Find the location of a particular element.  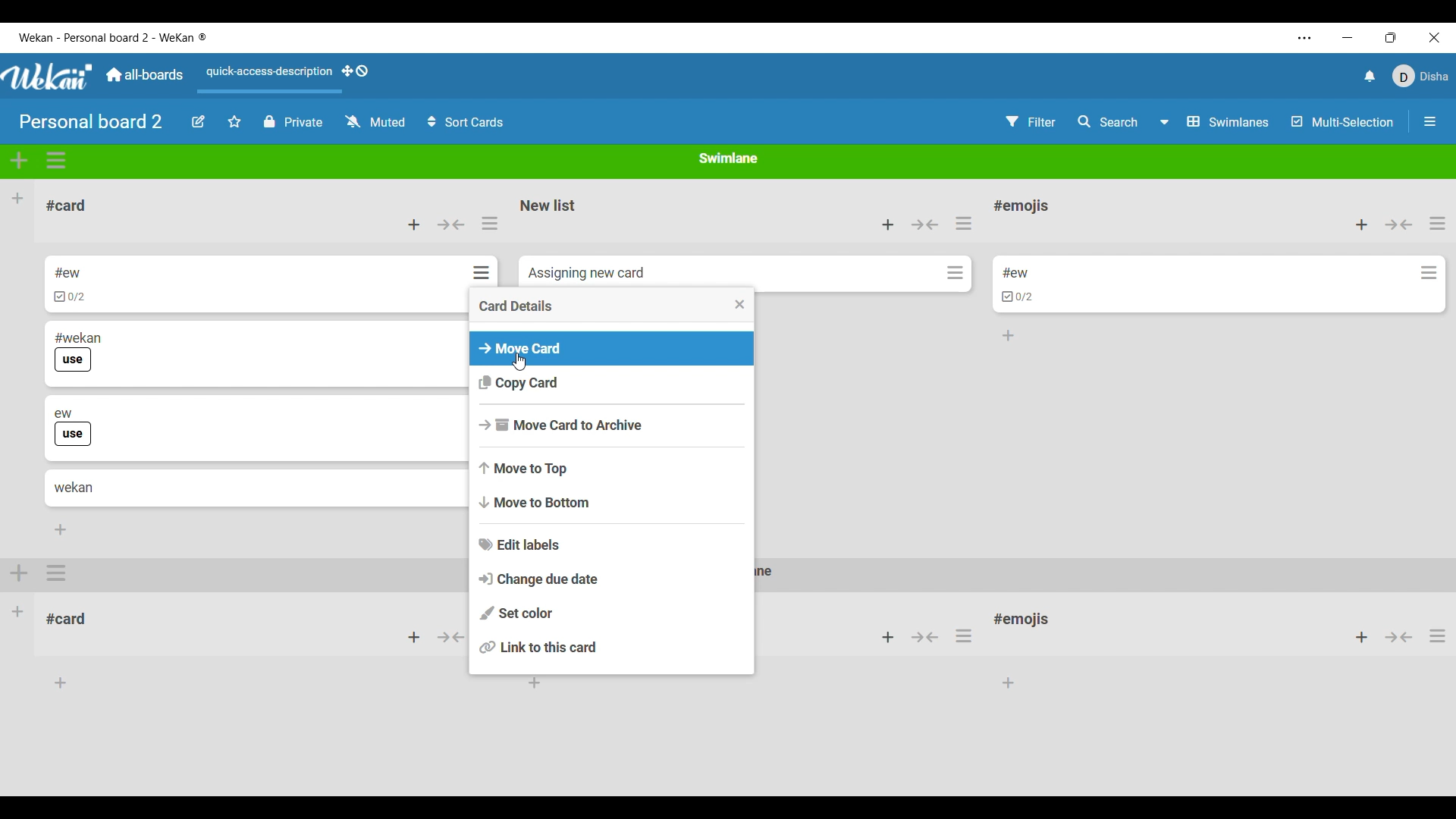

List name is located at coordinates (1021, 207).